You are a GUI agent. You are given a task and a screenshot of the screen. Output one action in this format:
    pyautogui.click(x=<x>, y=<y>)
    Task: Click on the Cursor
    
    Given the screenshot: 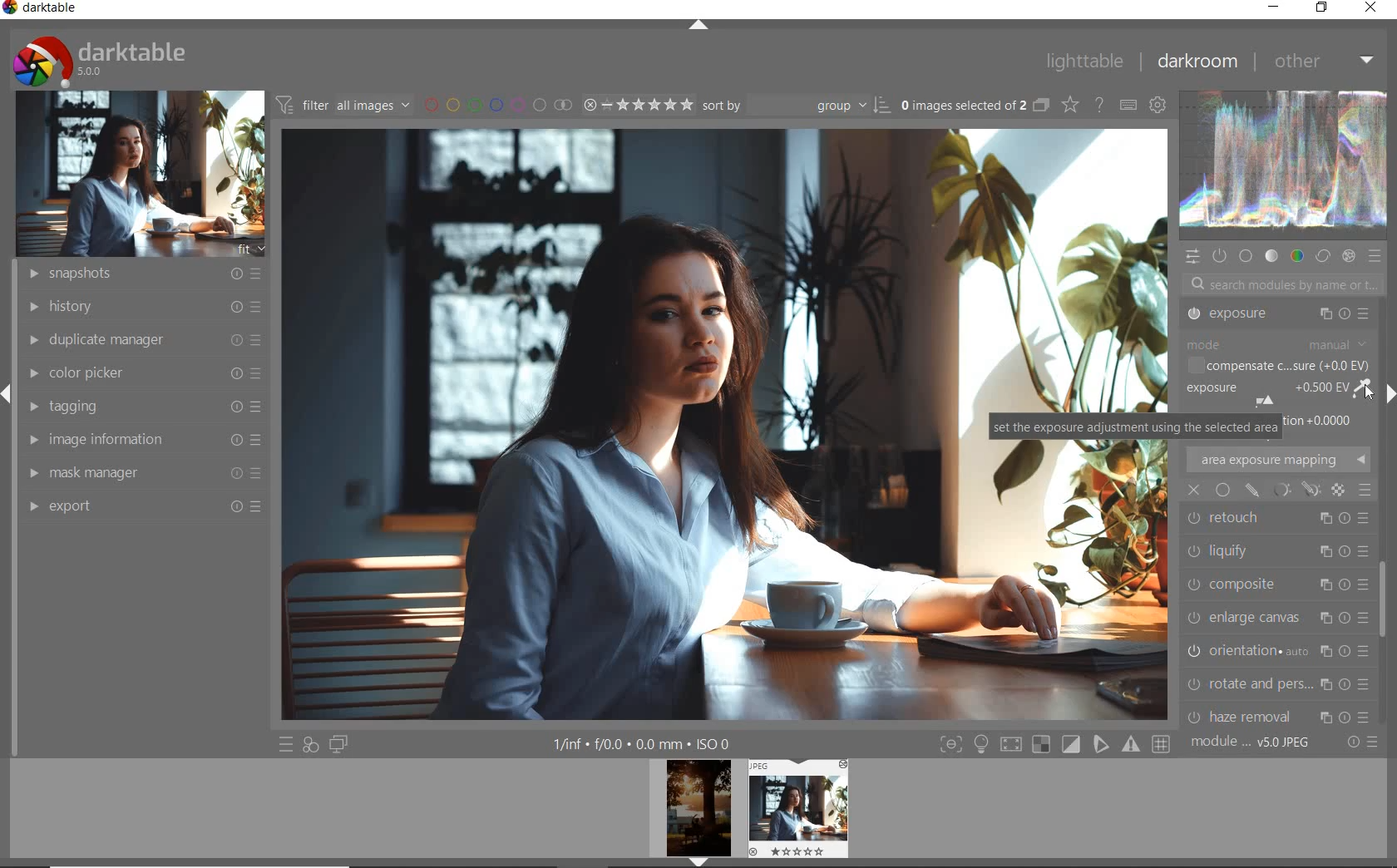 What is the action you would take?
    pyautogui.click(x=1367, y=395)
    